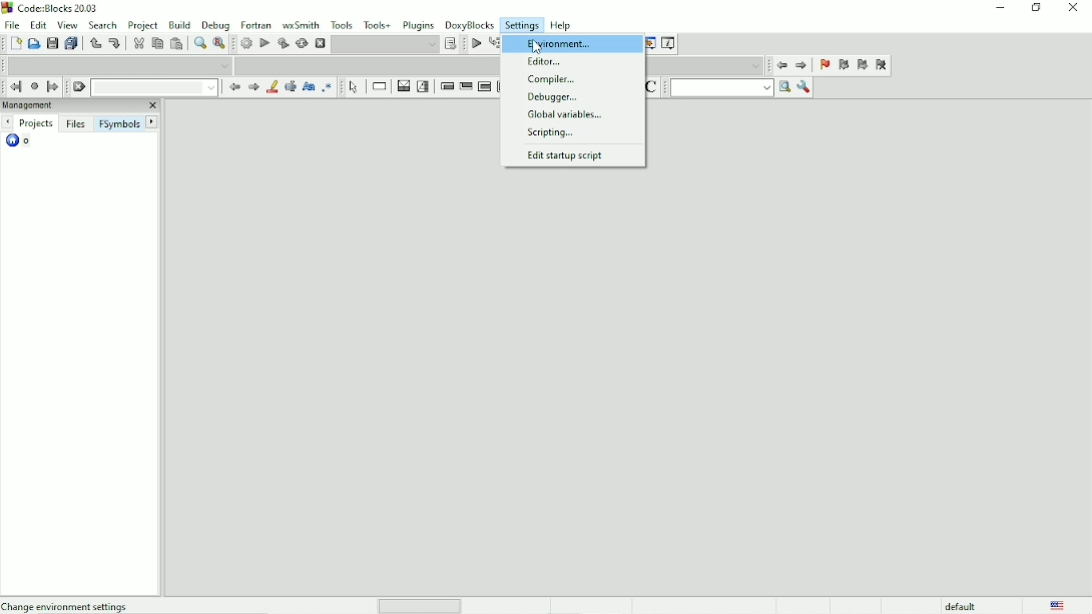  I want to click on File, so click(12, 24).